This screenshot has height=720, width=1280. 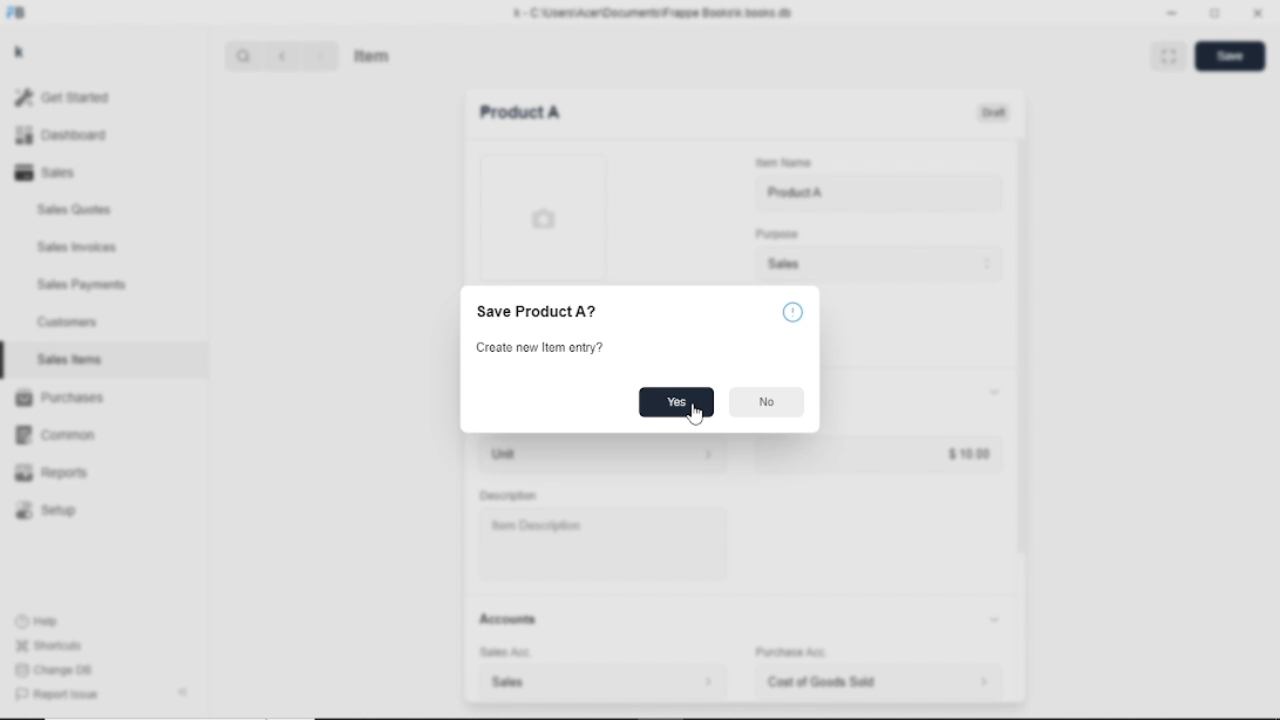 I want to click on Sales, so click(x=51, y=172).